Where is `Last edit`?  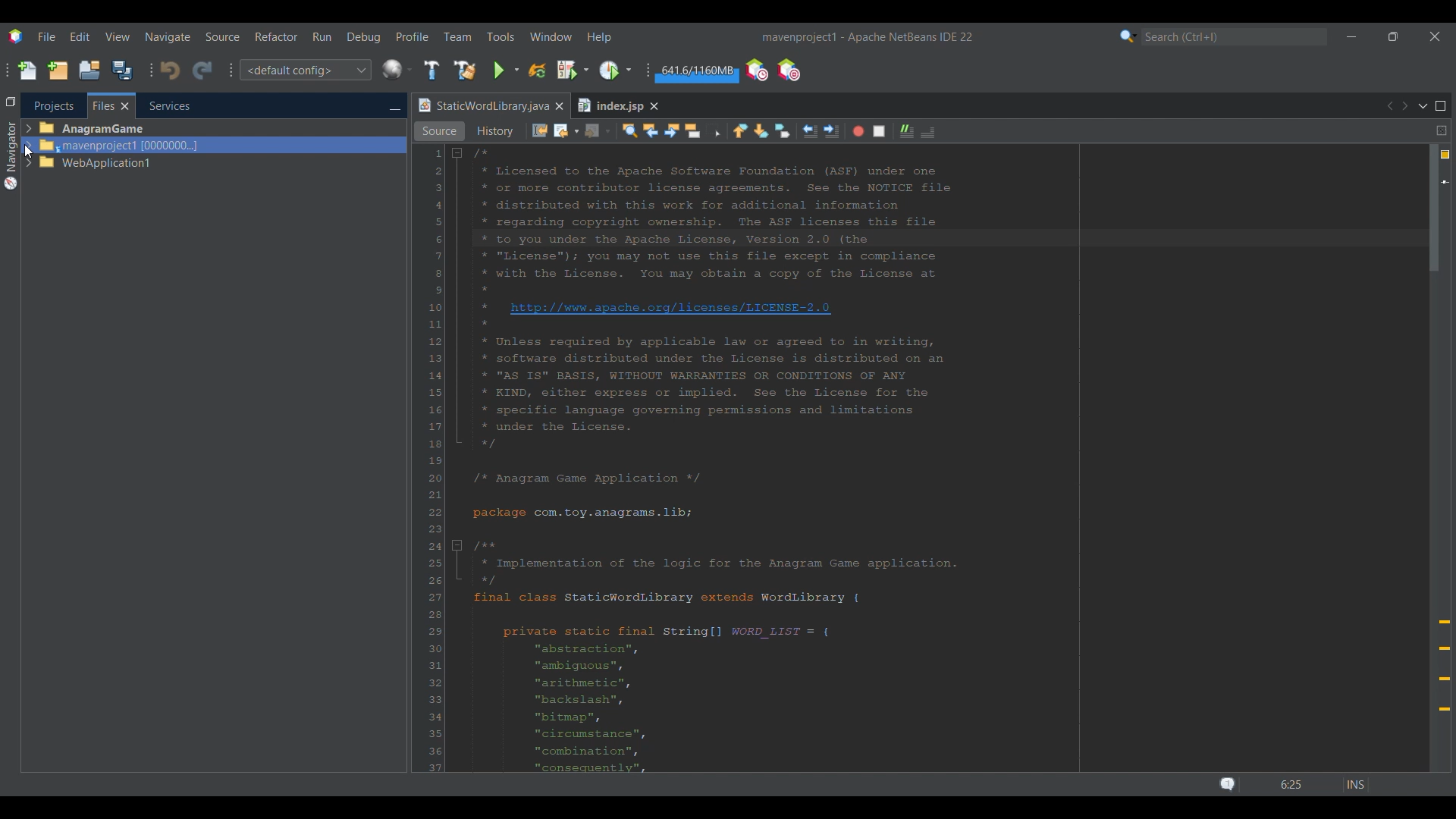
Last edit is located at coordinates (540, 130).